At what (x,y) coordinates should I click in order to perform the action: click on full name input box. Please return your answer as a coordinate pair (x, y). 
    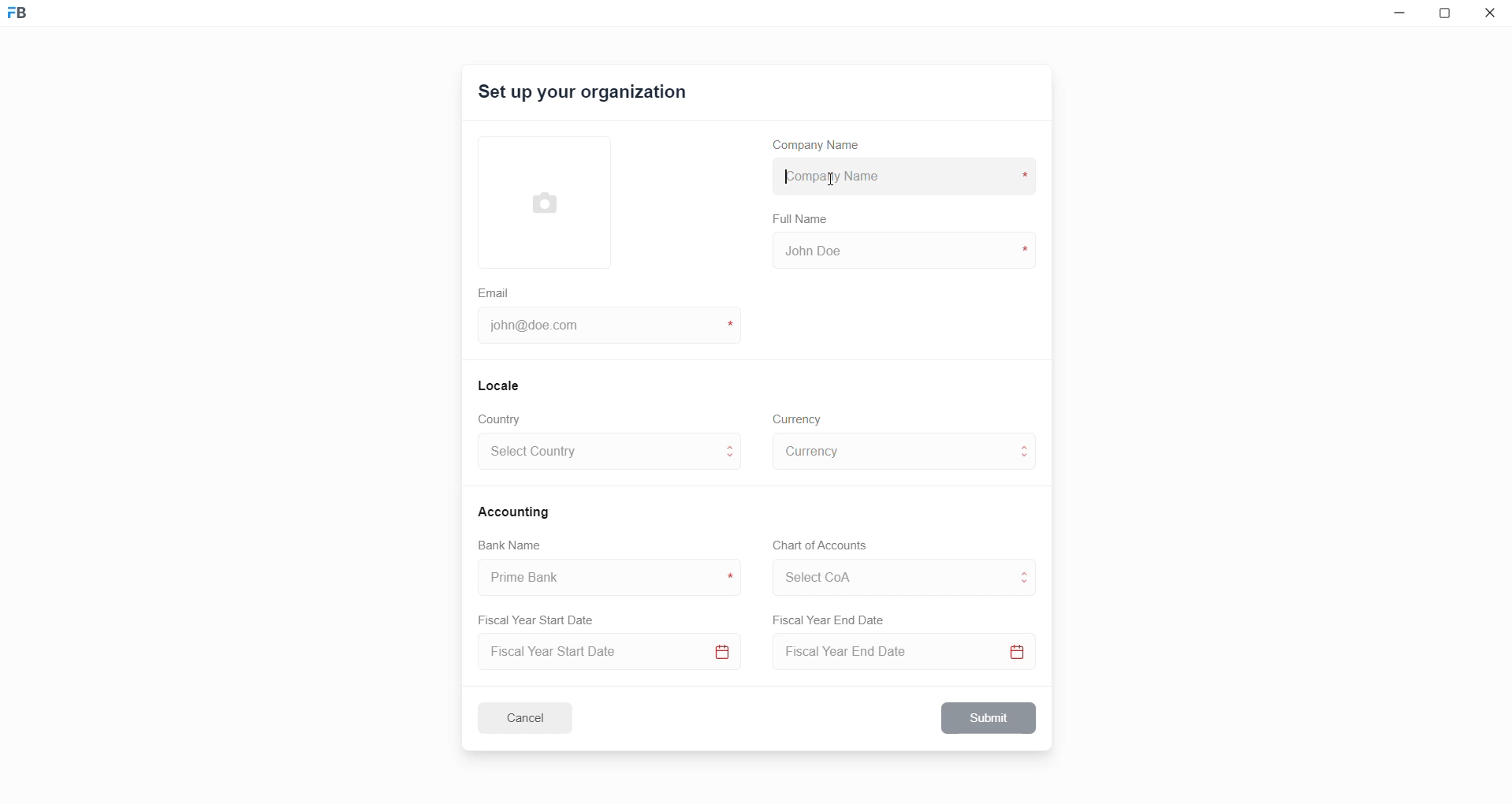
    Looking at the image, I should click on (902, 249).